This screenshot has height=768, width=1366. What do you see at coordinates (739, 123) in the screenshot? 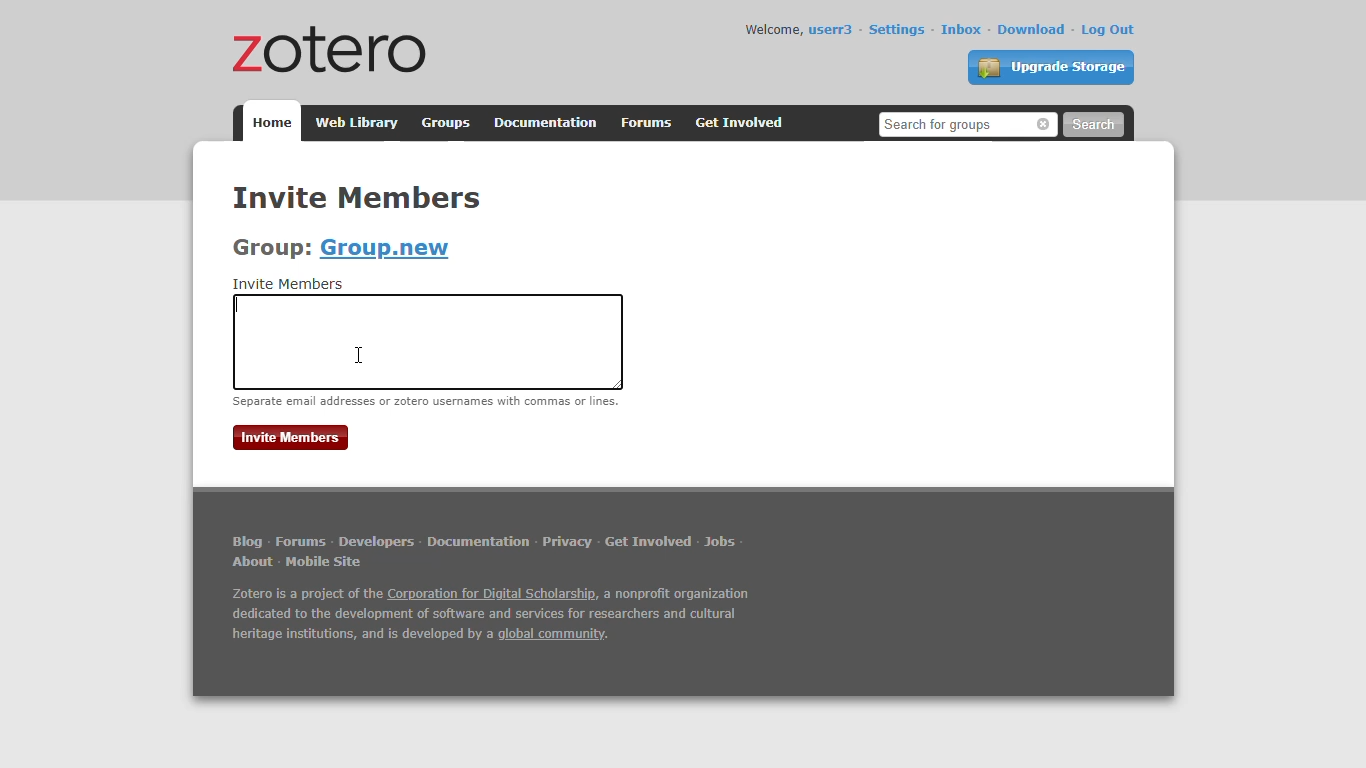
I see `get involved` at bounding box center [739, 123].